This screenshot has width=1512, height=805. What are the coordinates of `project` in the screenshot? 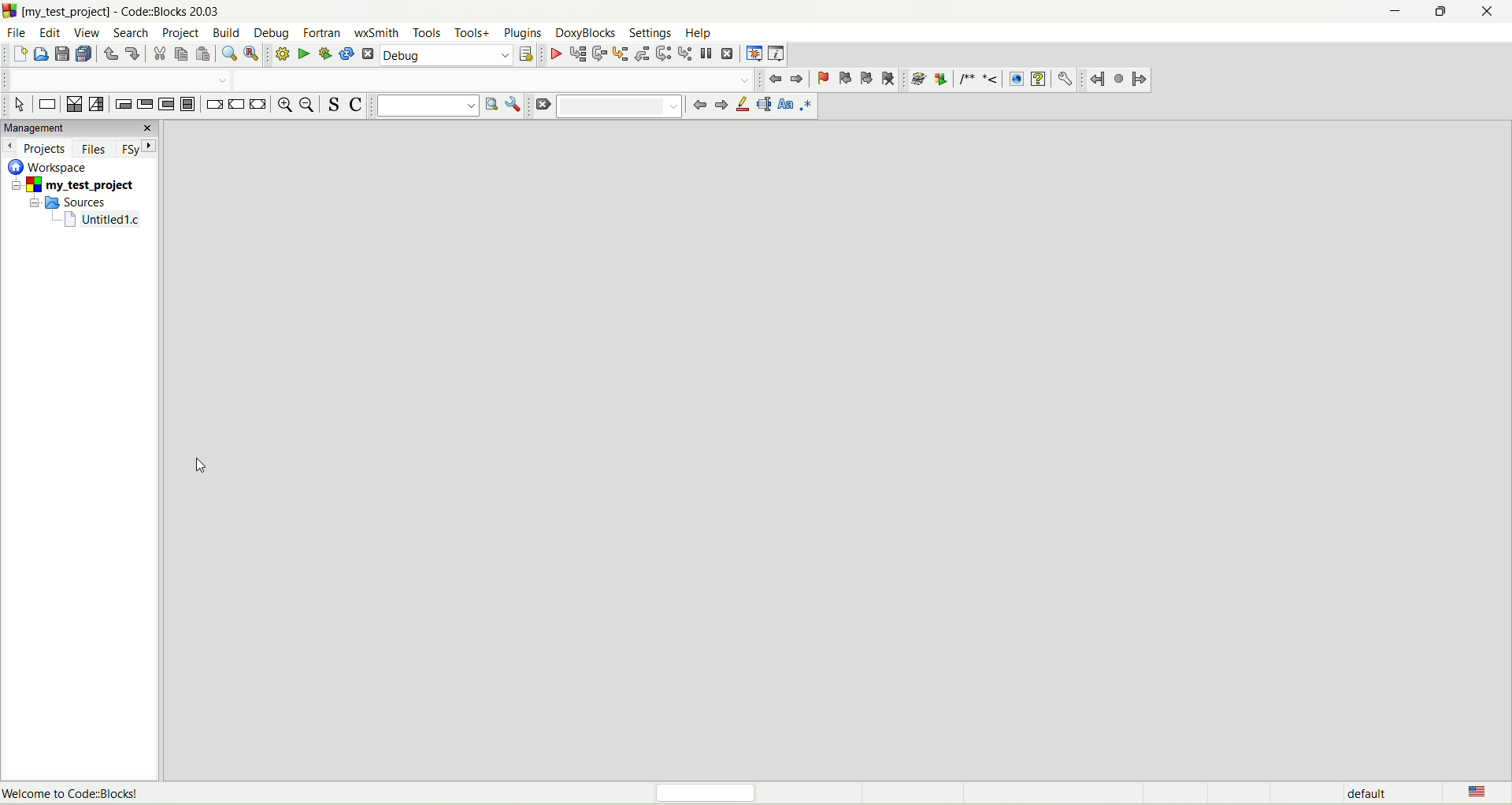 It's located at (183, 32).